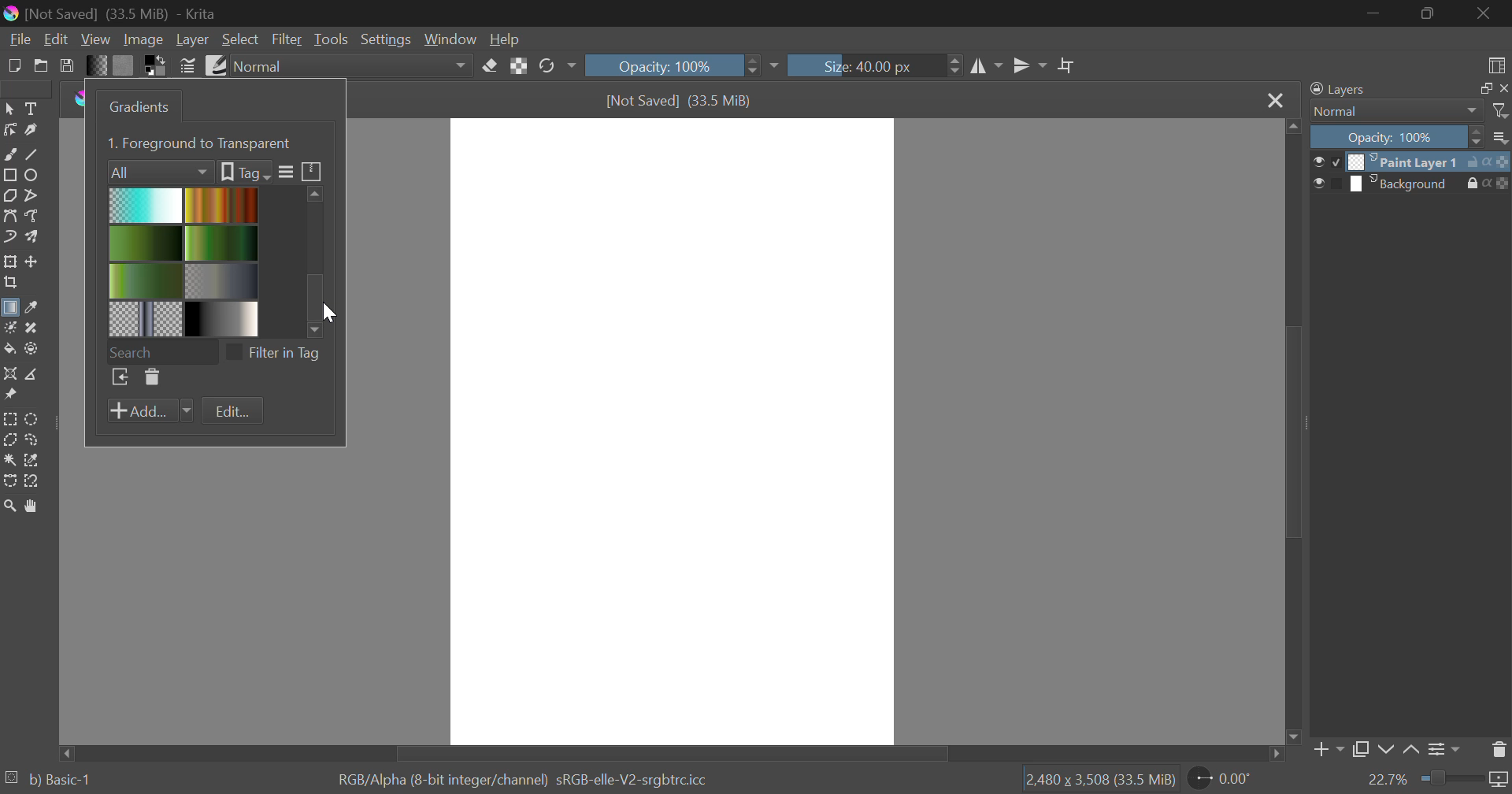  I want to click on Delete, so click(150, 378).